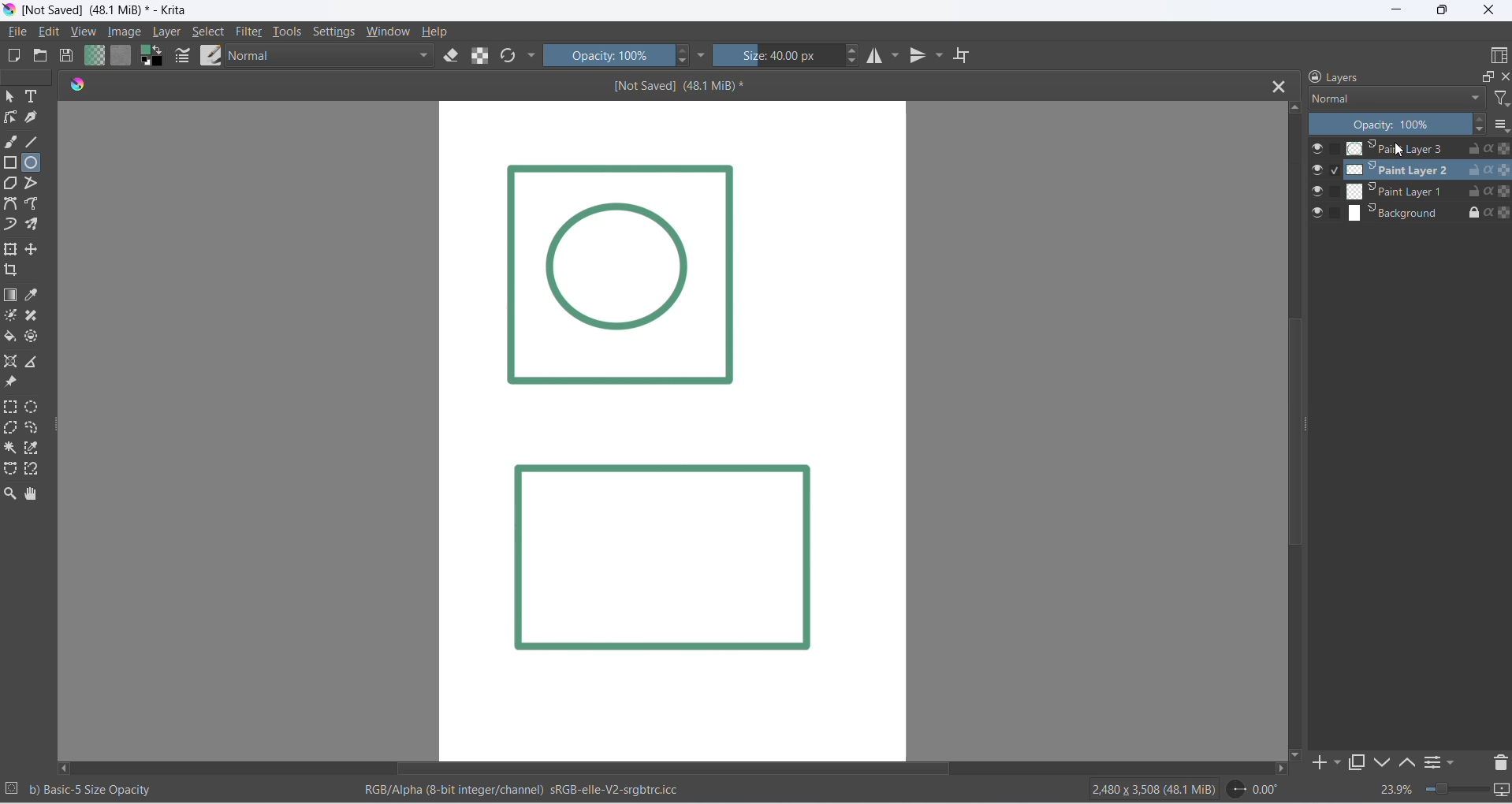  Describe the element at coordinates (39, 184) in the screenshot. I see `polyline tool` at that location.